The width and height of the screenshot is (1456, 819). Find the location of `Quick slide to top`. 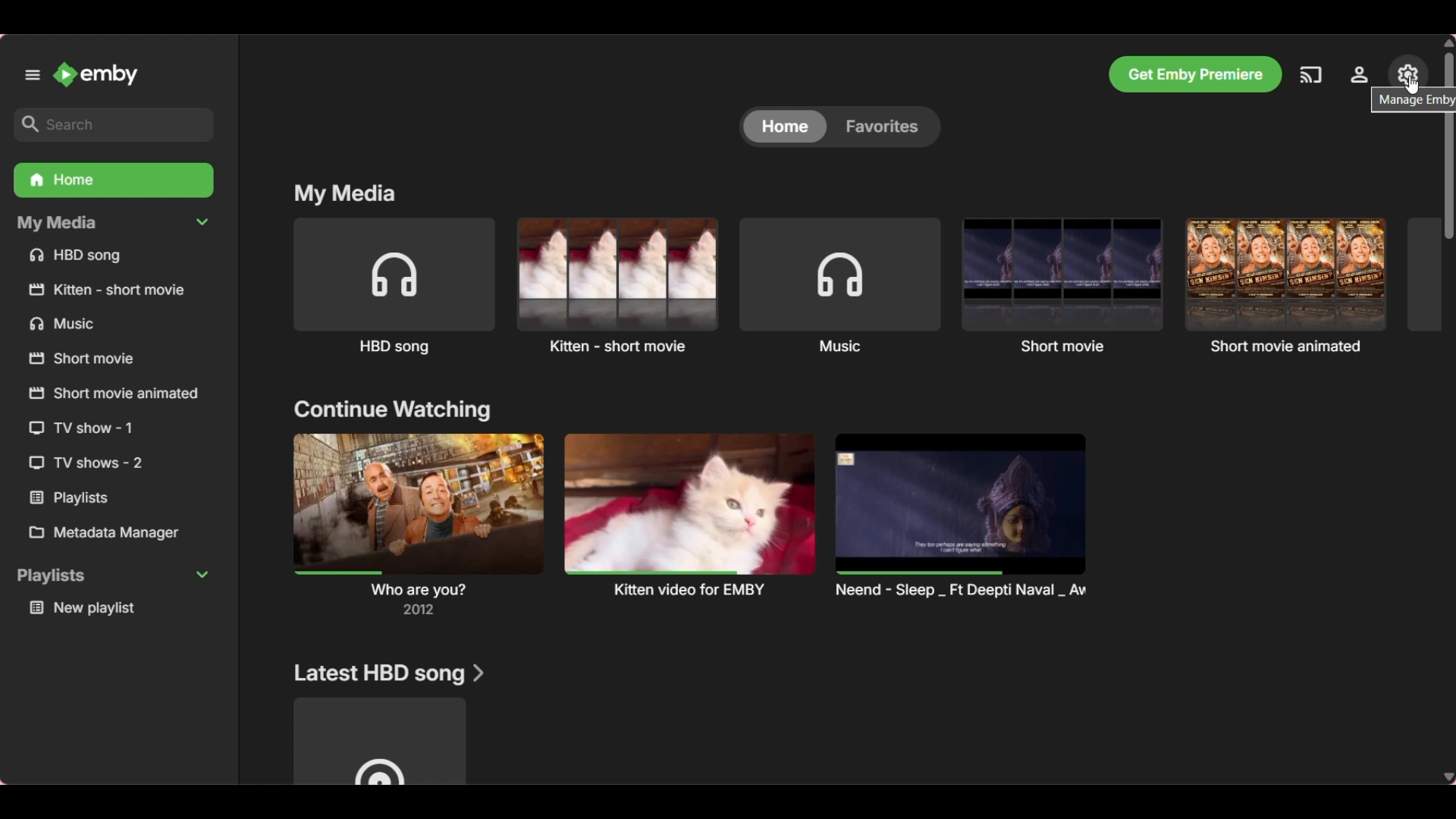

Quick slide to top is located at coordinates (1448, 42).